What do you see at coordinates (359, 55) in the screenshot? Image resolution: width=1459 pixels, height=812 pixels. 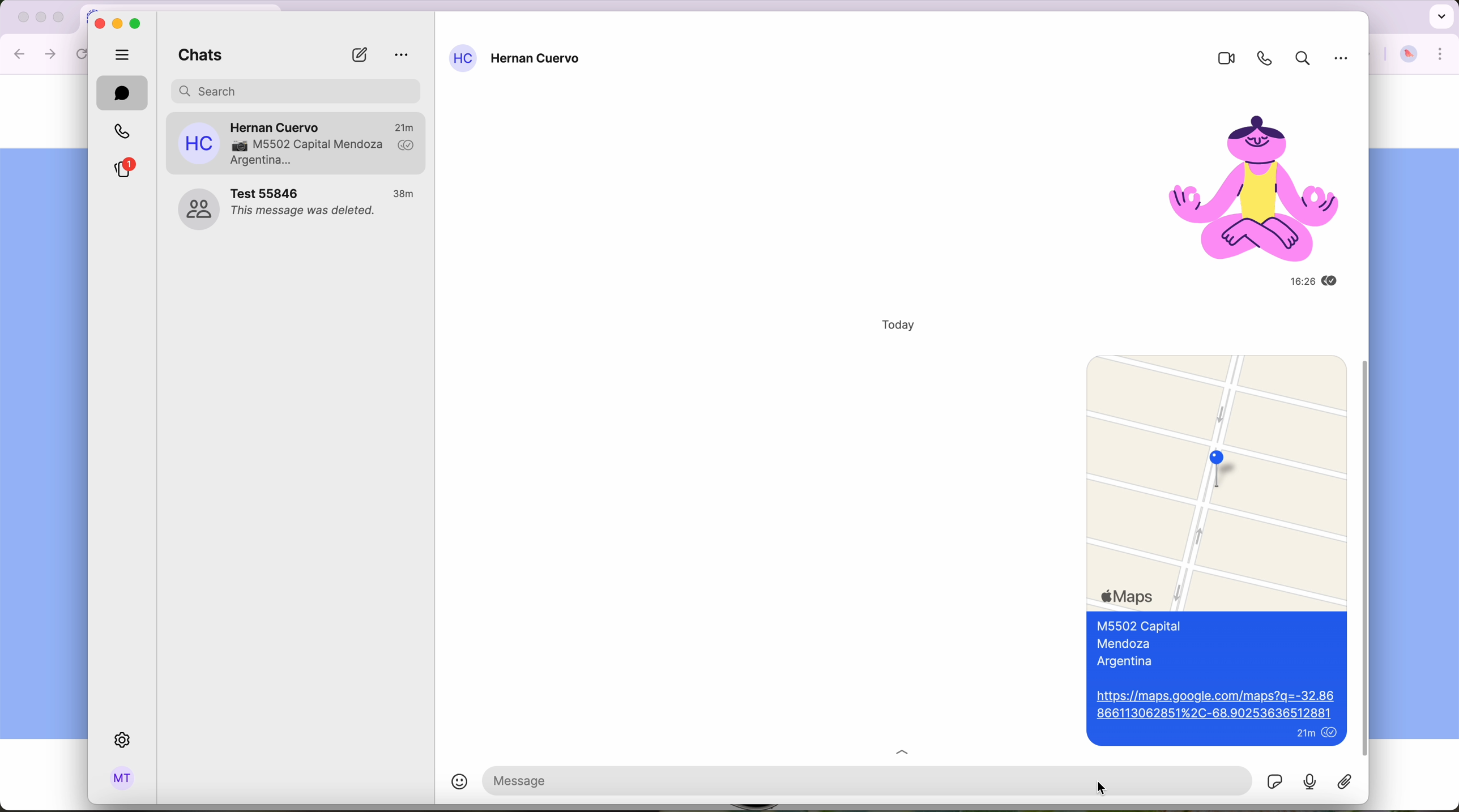 I see `new chat` at bounding box center [359, 55].